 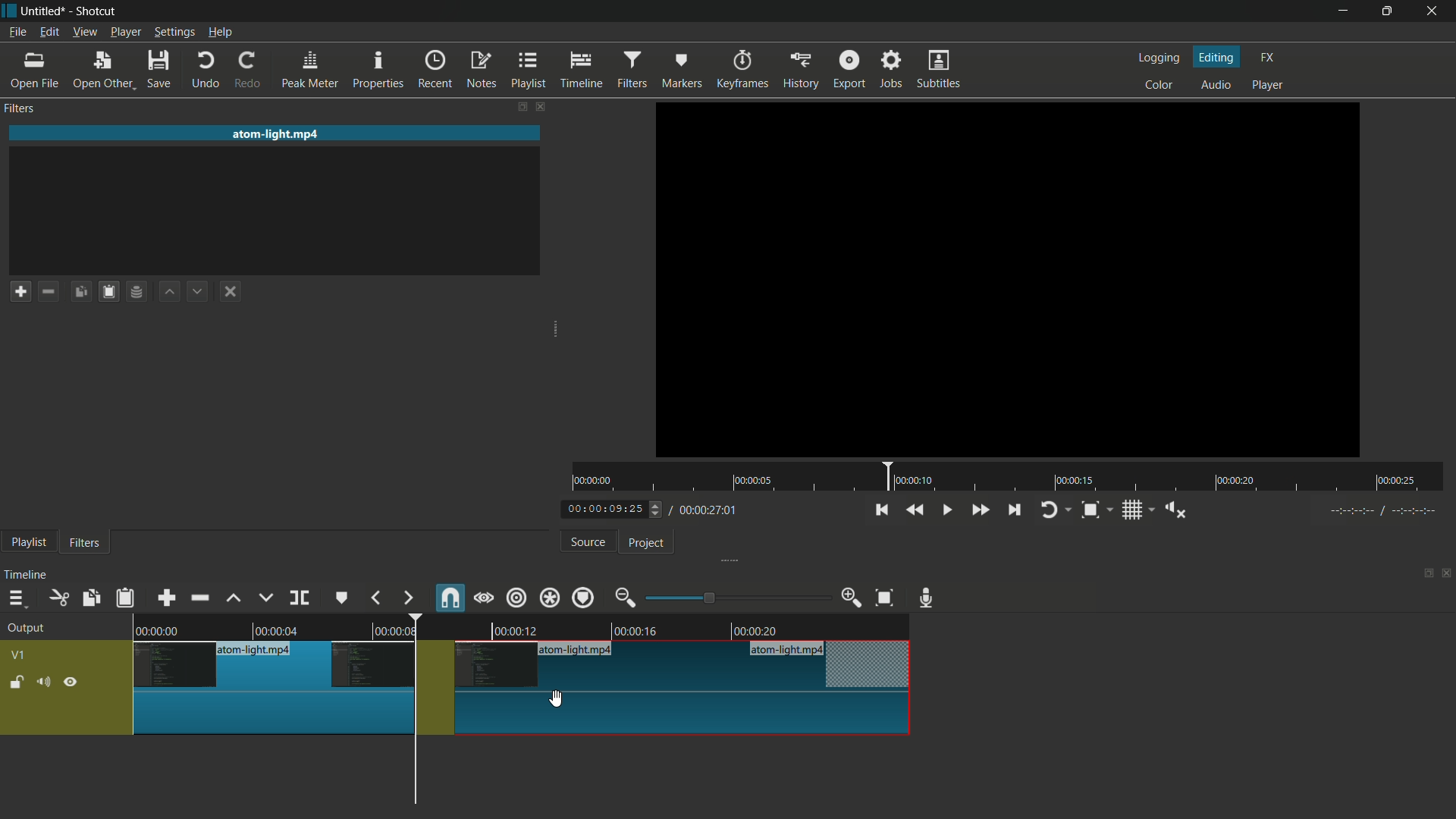 What do you see at coordinates (979, 510) in the screenshot?
I see `quickly play forward` at bounding box center [979, 510].